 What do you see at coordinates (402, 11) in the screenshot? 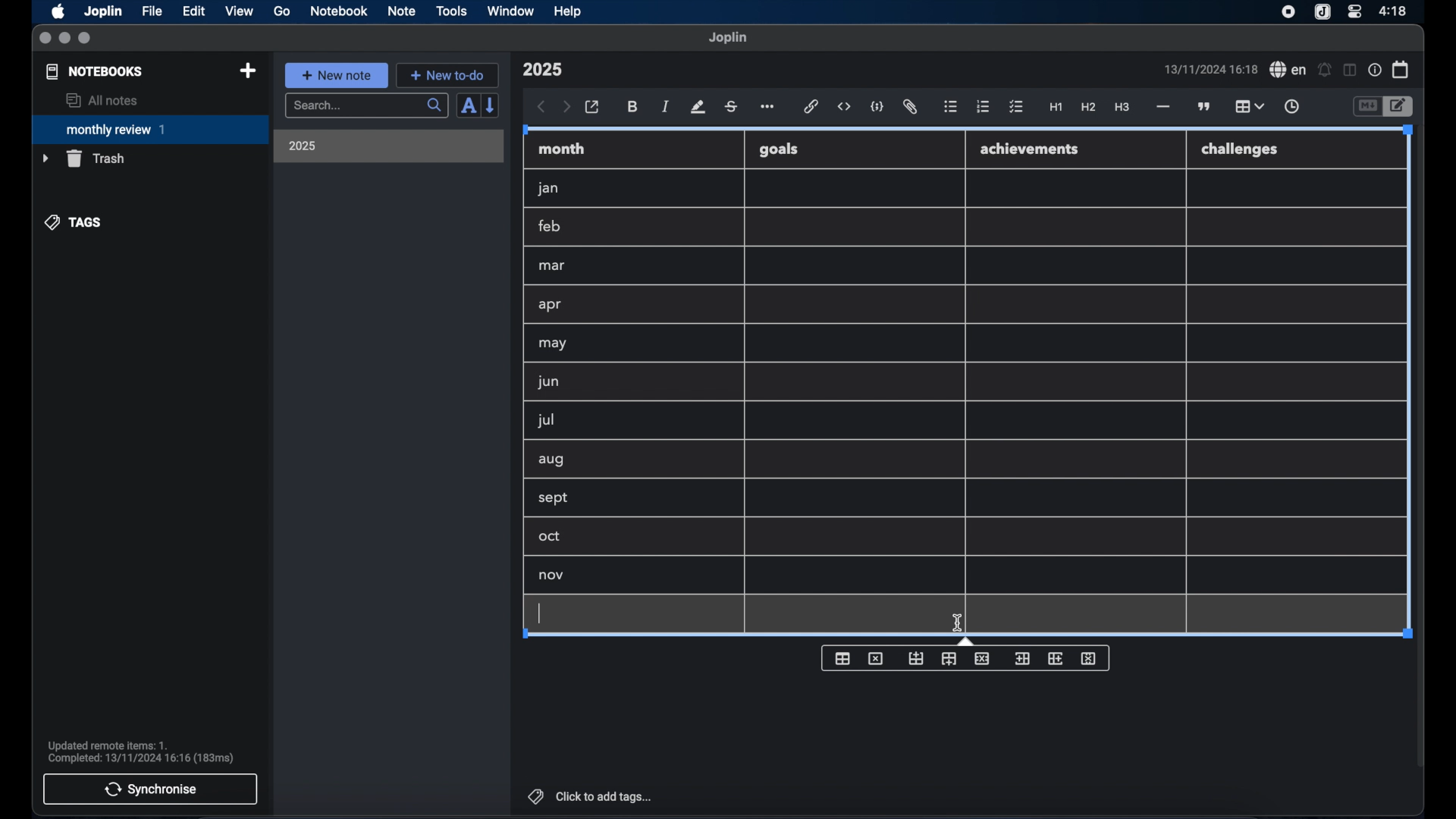
I see `note` at bounding box center [402, 11].